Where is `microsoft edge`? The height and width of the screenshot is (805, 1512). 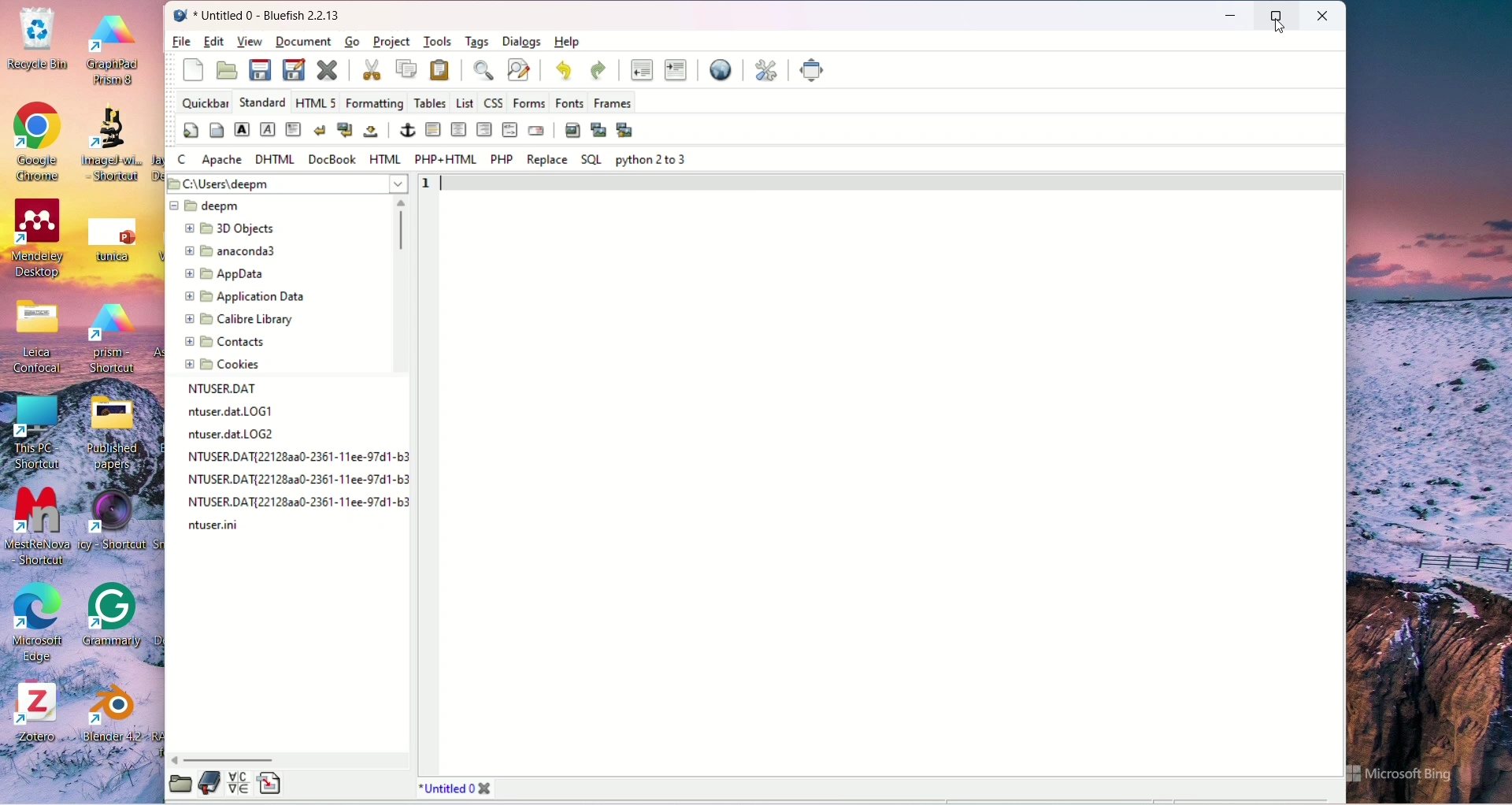
microsoft edge is located at coordinates (33, 622).